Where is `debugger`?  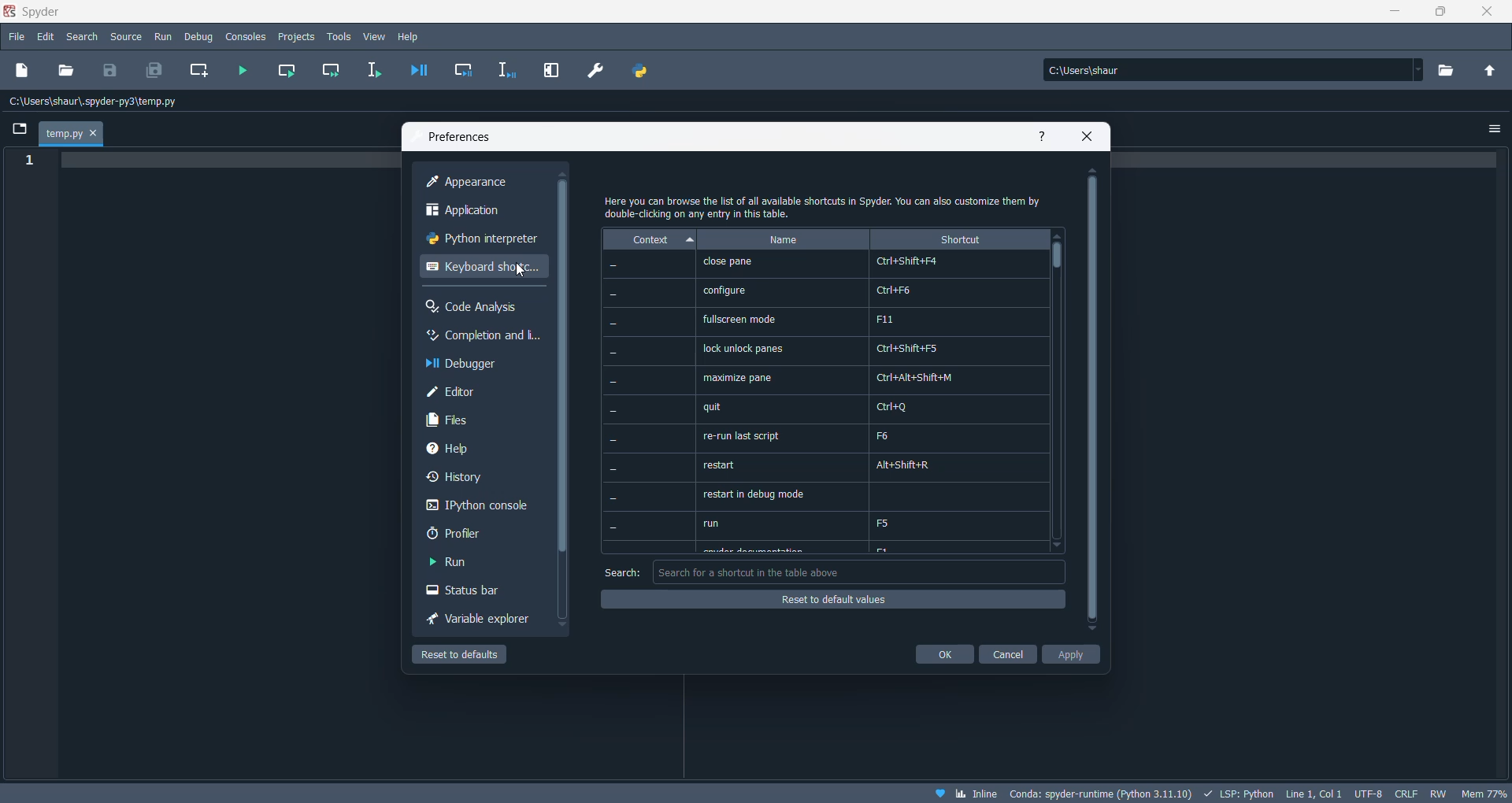
debugger is located at coordinates (475, 365).